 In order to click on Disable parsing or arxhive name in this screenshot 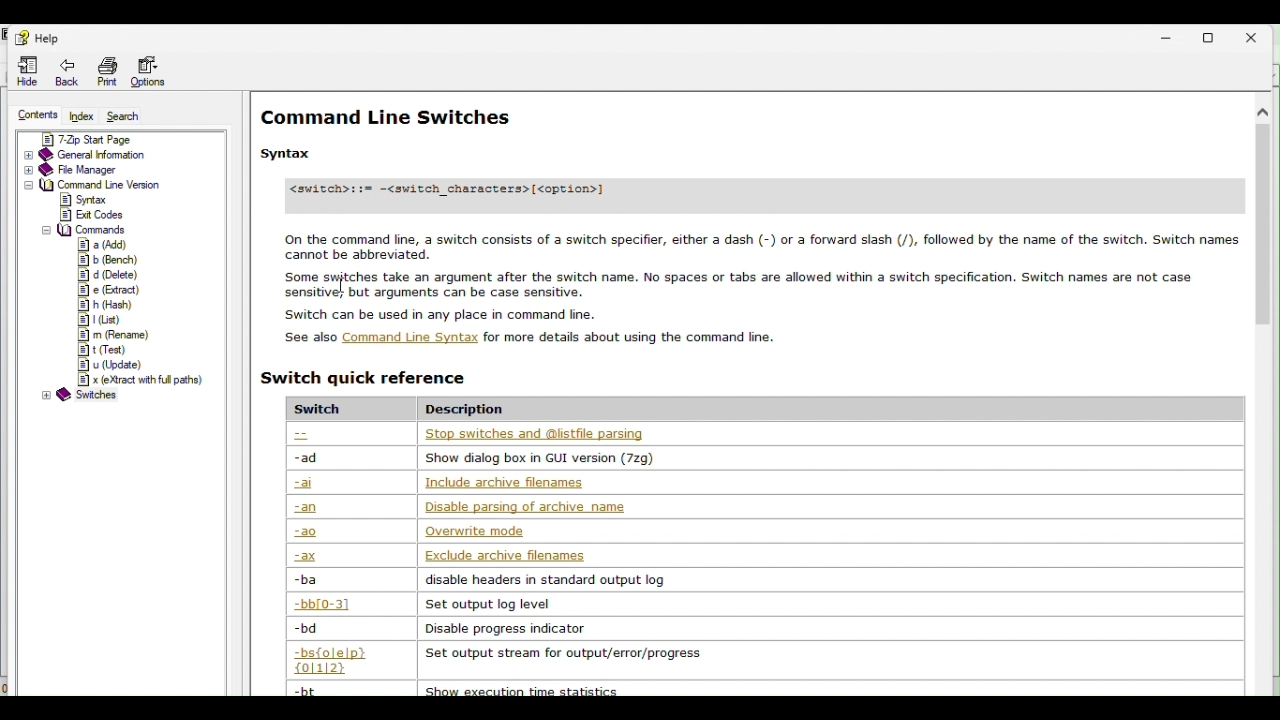, I will do `click(522, 505)`.